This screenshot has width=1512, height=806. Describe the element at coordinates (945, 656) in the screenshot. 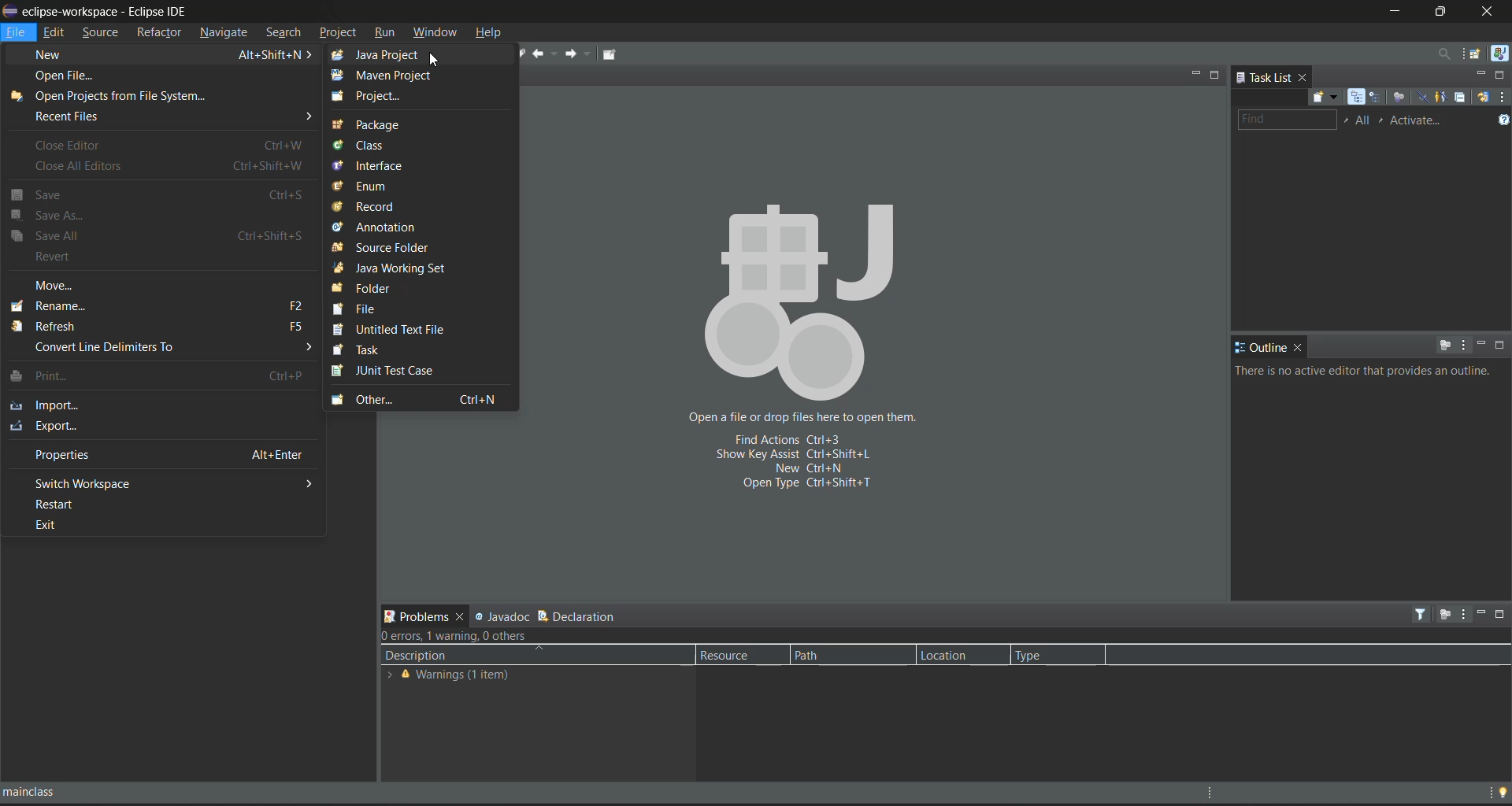

I see `Location` at that location.